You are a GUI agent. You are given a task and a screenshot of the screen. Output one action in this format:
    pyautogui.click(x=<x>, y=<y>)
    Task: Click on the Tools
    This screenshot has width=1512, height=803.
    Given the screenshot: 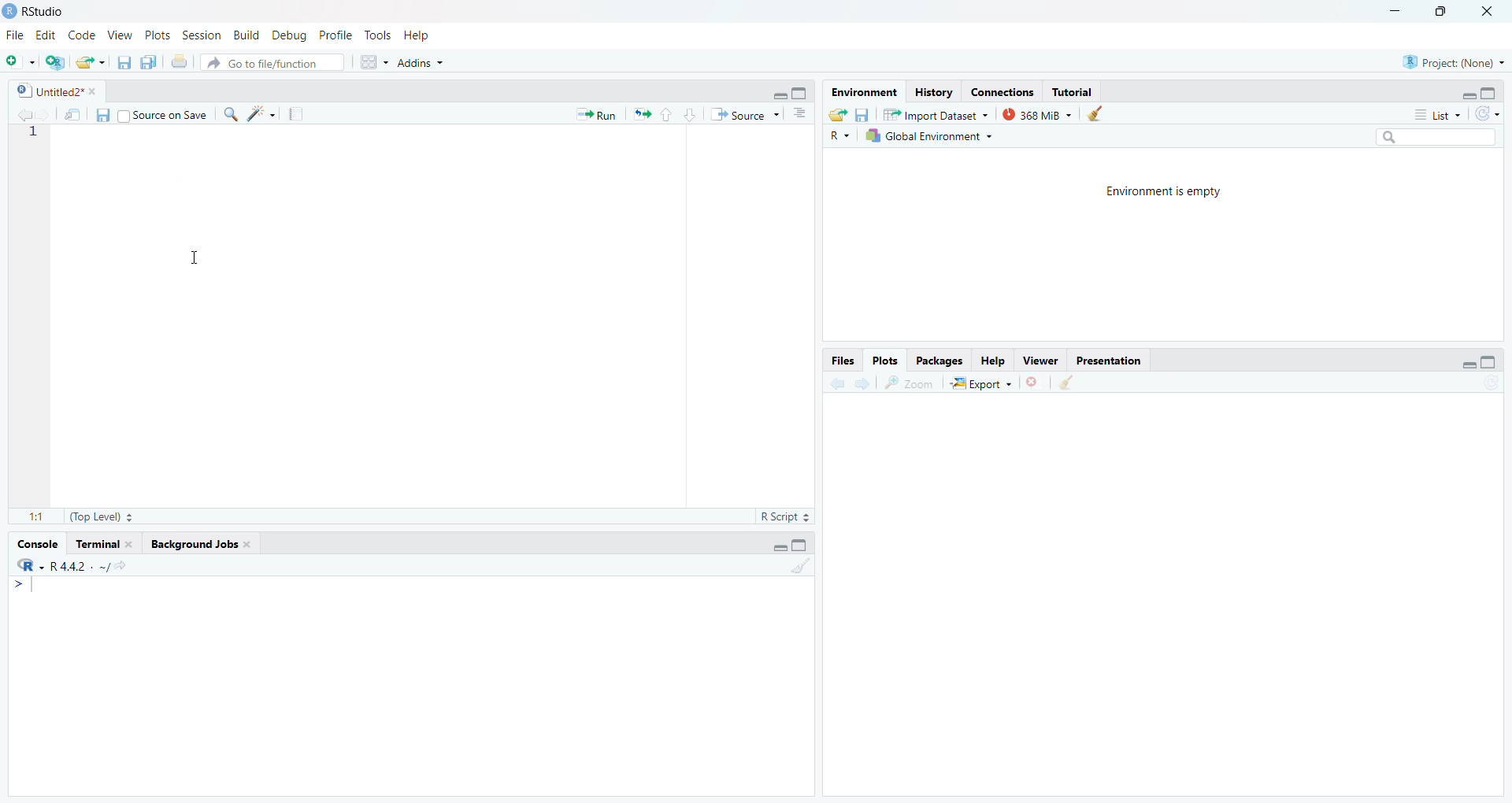 What is the action you would take?
    pyautogui.click(x=378, y=35)
    